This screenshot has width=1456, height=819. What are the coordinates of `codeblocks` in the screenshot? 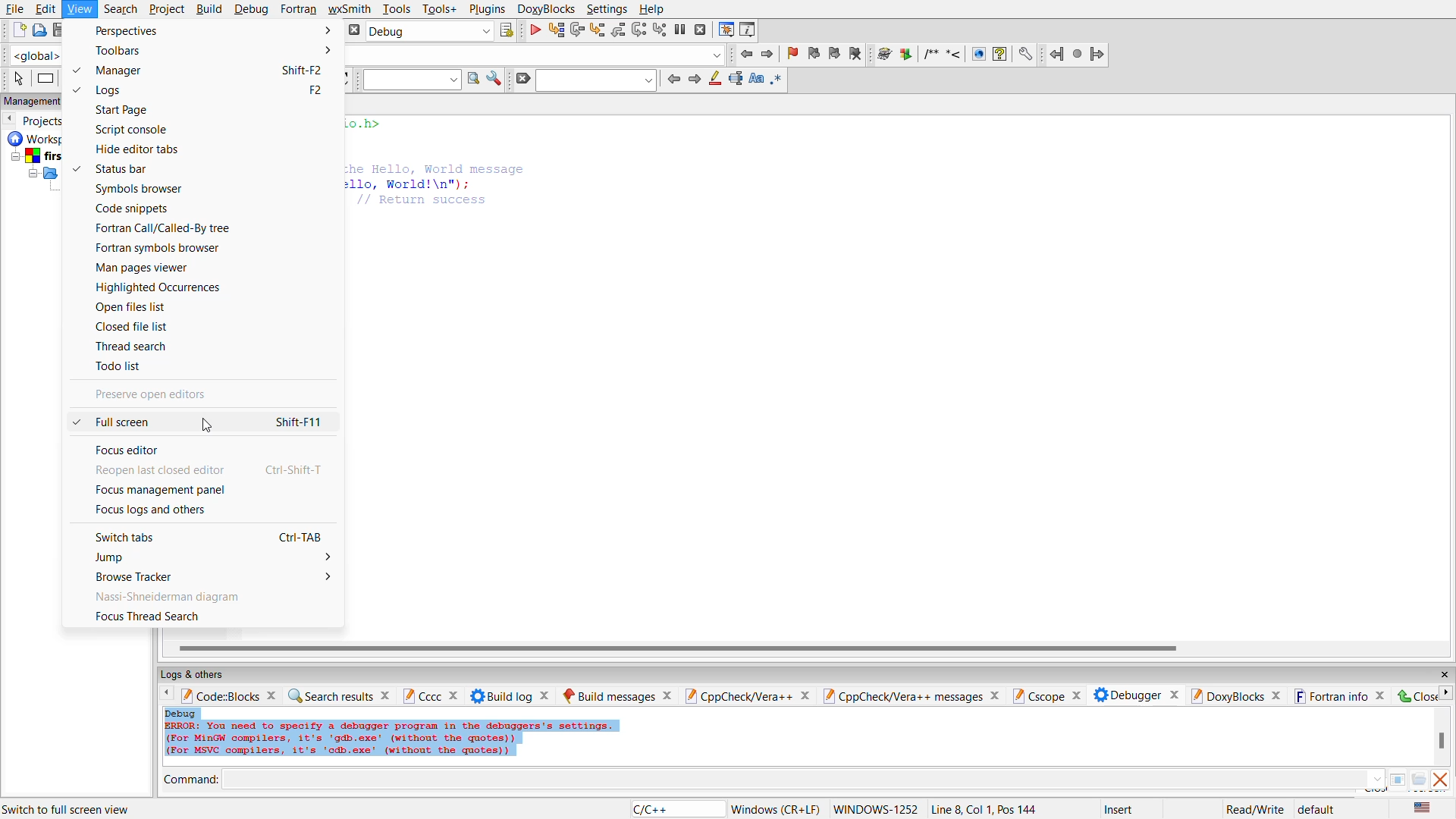 It's located at (230, 695).